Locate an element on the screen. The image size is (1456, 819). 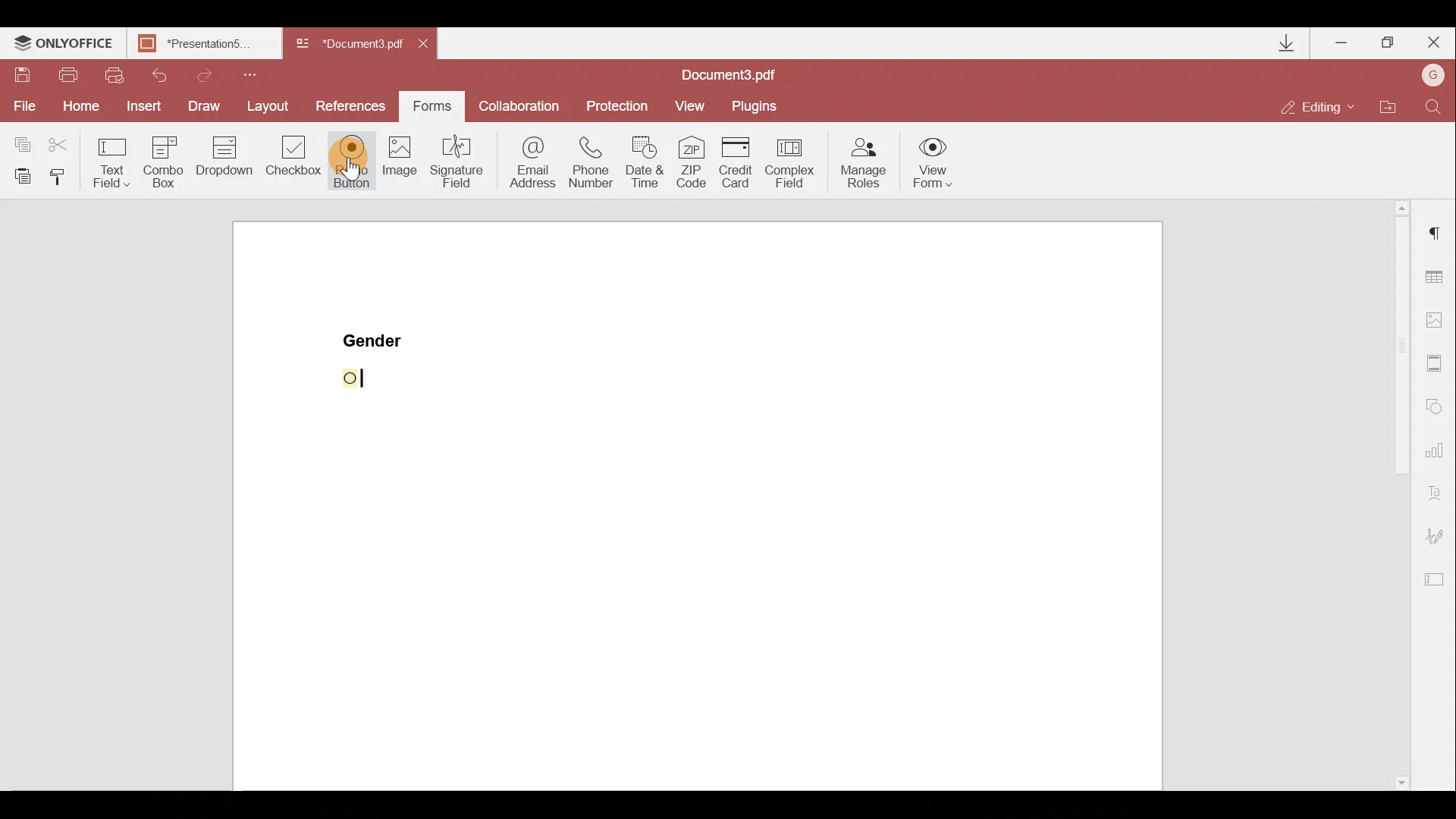
Protection is located at coordinates (619, 102).